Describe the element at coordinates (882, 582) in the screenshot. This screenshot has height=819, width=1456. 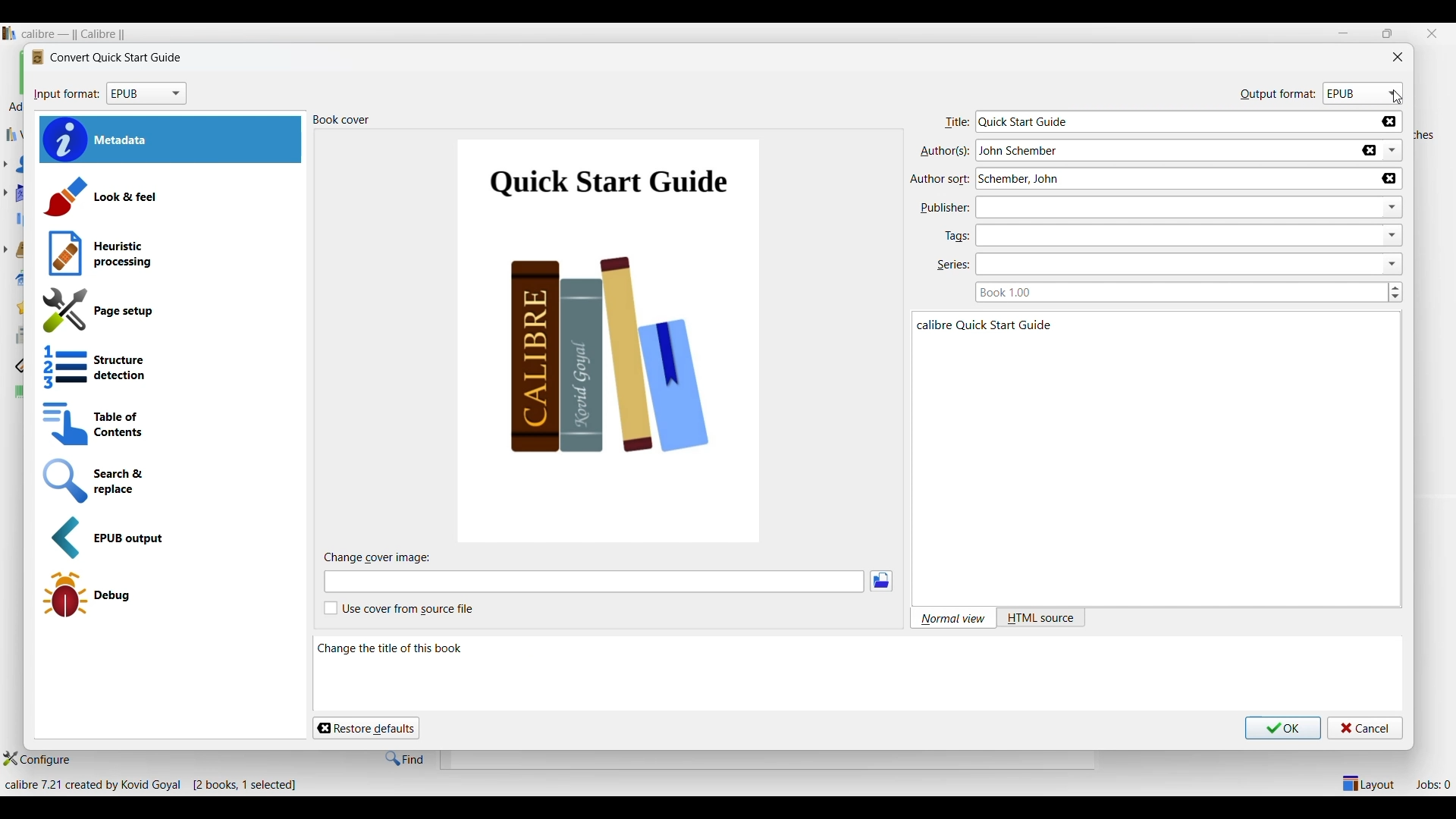
I see `Browse images` at that location.